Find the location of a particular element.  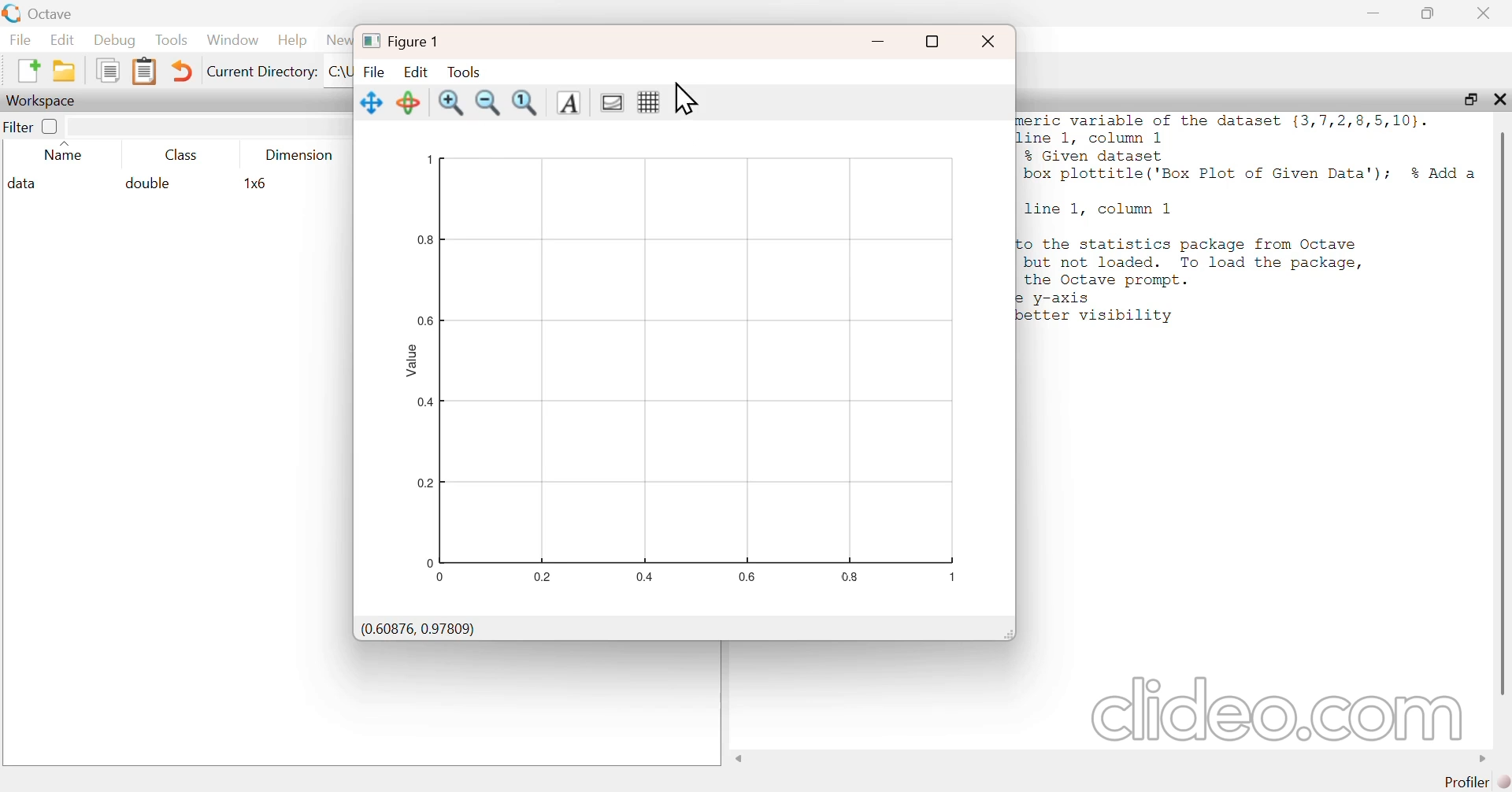

edit is located at coordinates (415, 70).